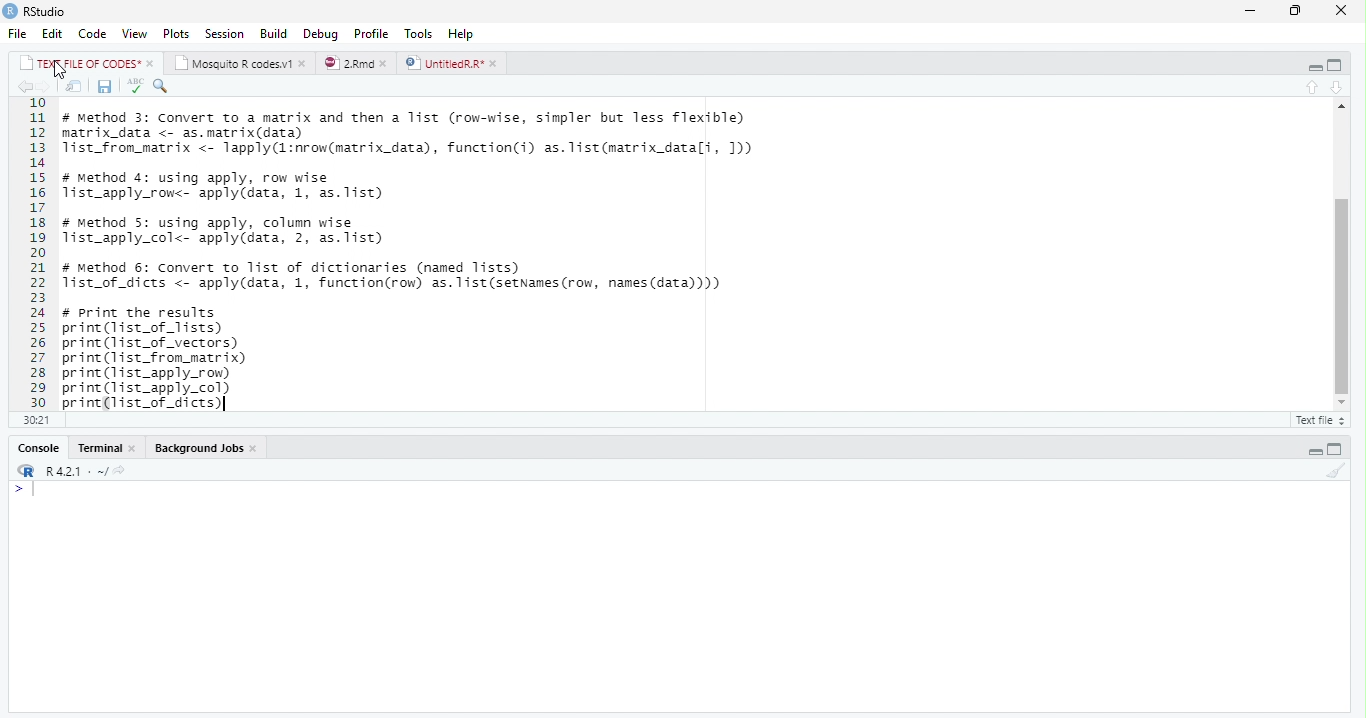 The height and width of the screenshot is (718, 1366). Describe the element at coordinates (59, 72) in the screenshot. I see `Mouse Cursor` at that location.